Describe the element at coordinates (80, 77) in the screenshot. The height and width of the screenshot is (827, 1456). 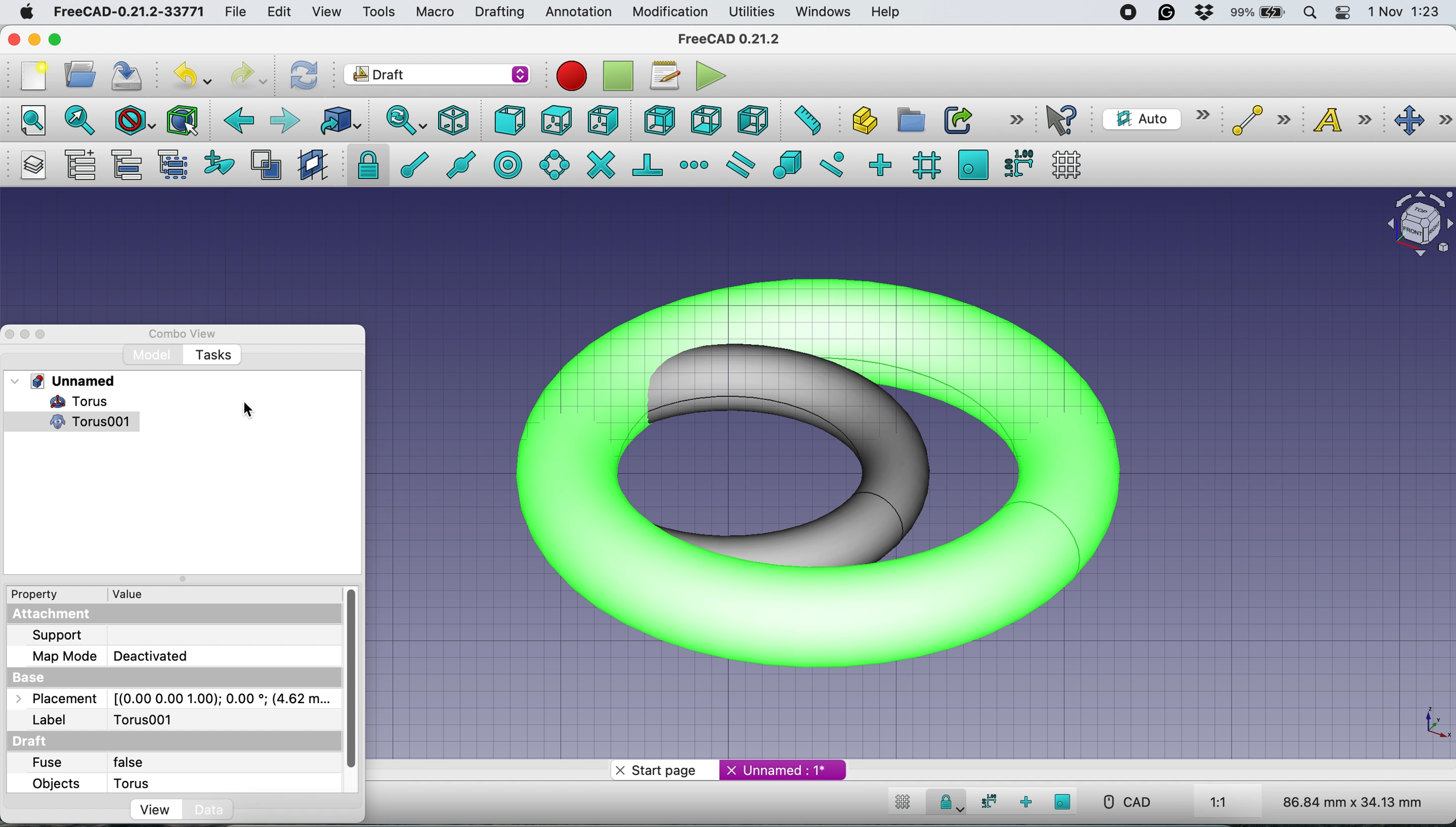
I see `open` at that location.